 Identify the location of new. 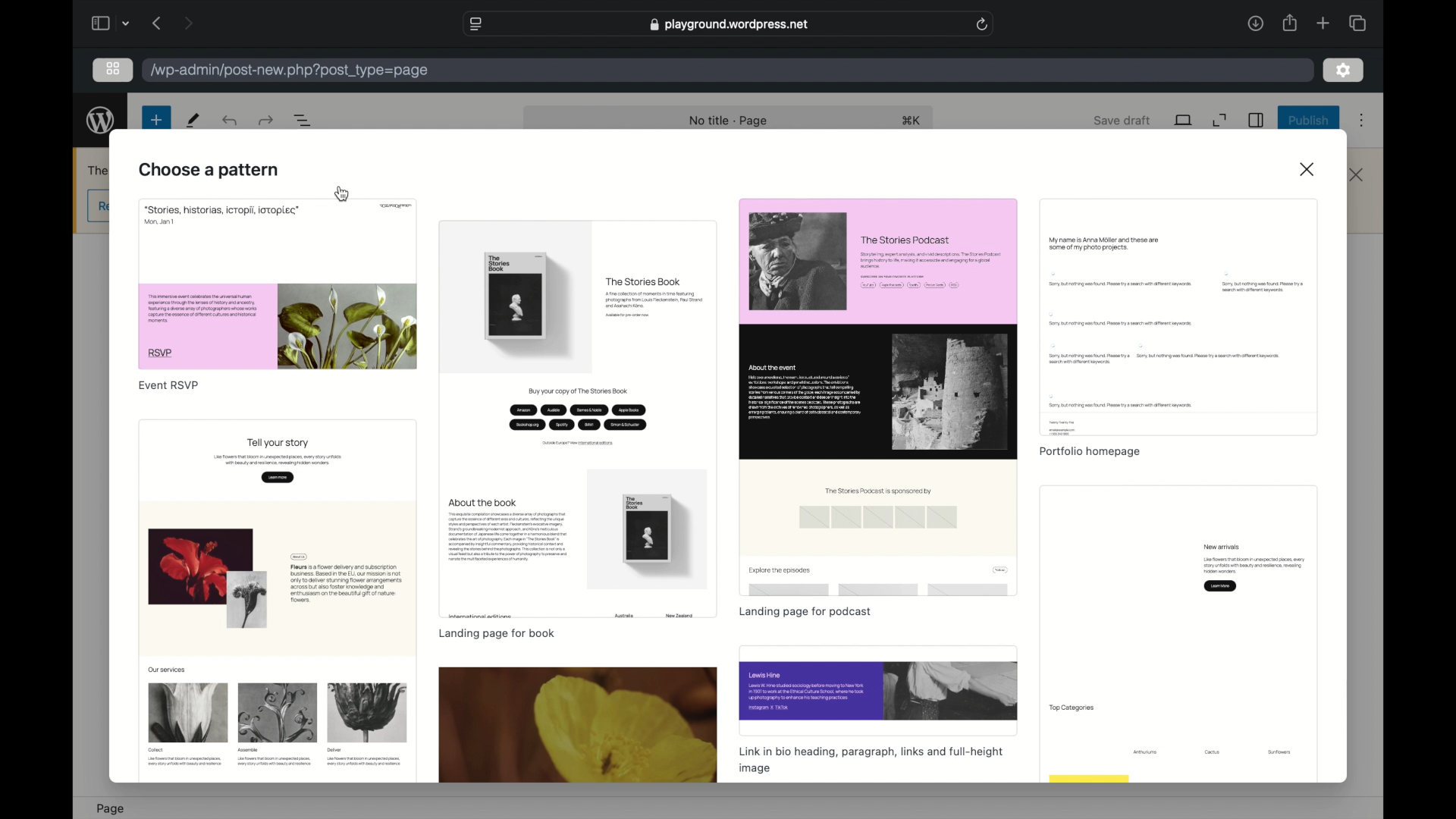
(155, 121).